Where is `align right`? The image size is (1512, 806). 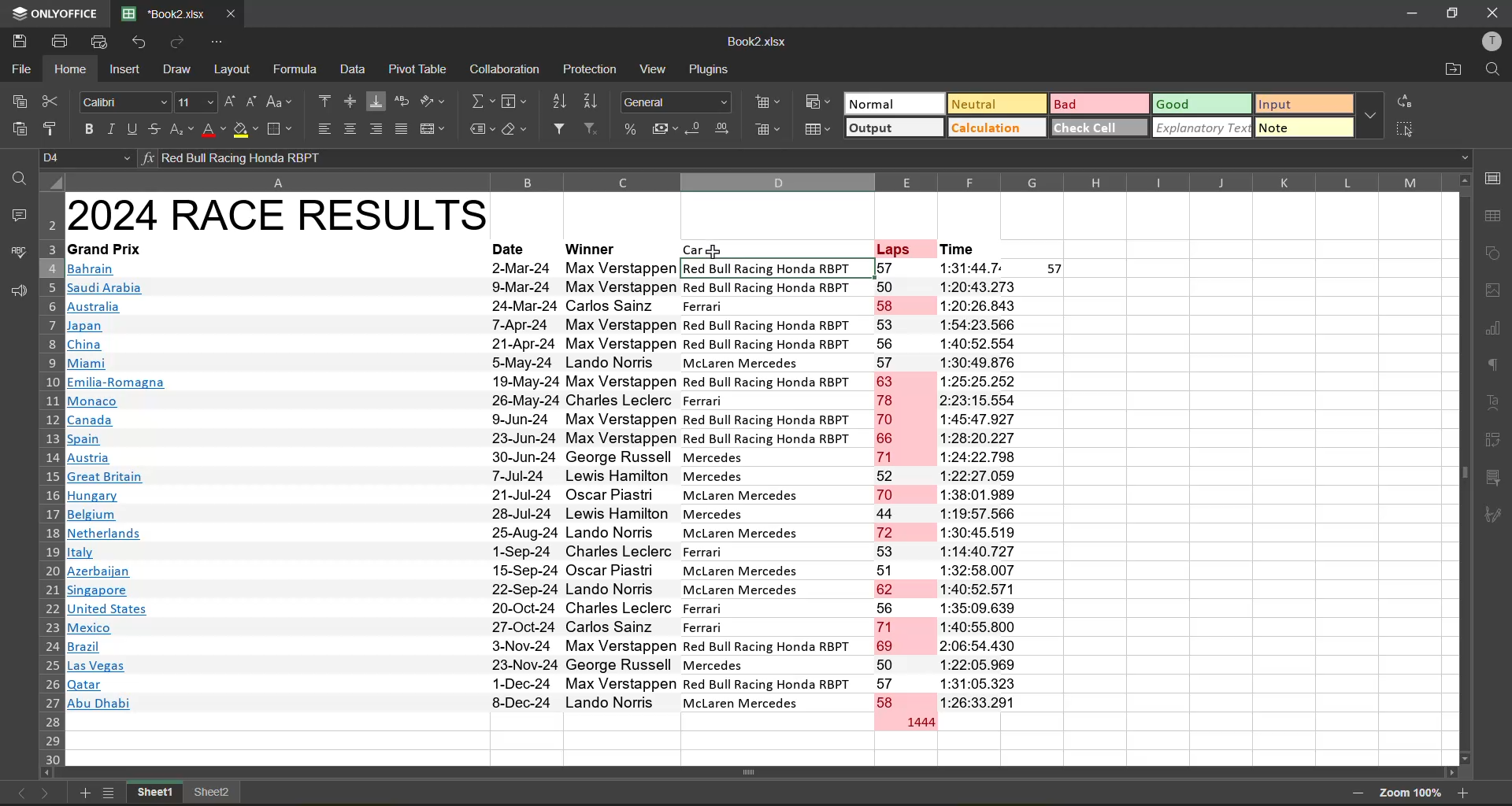
align right is located at coordinates (376, 129).